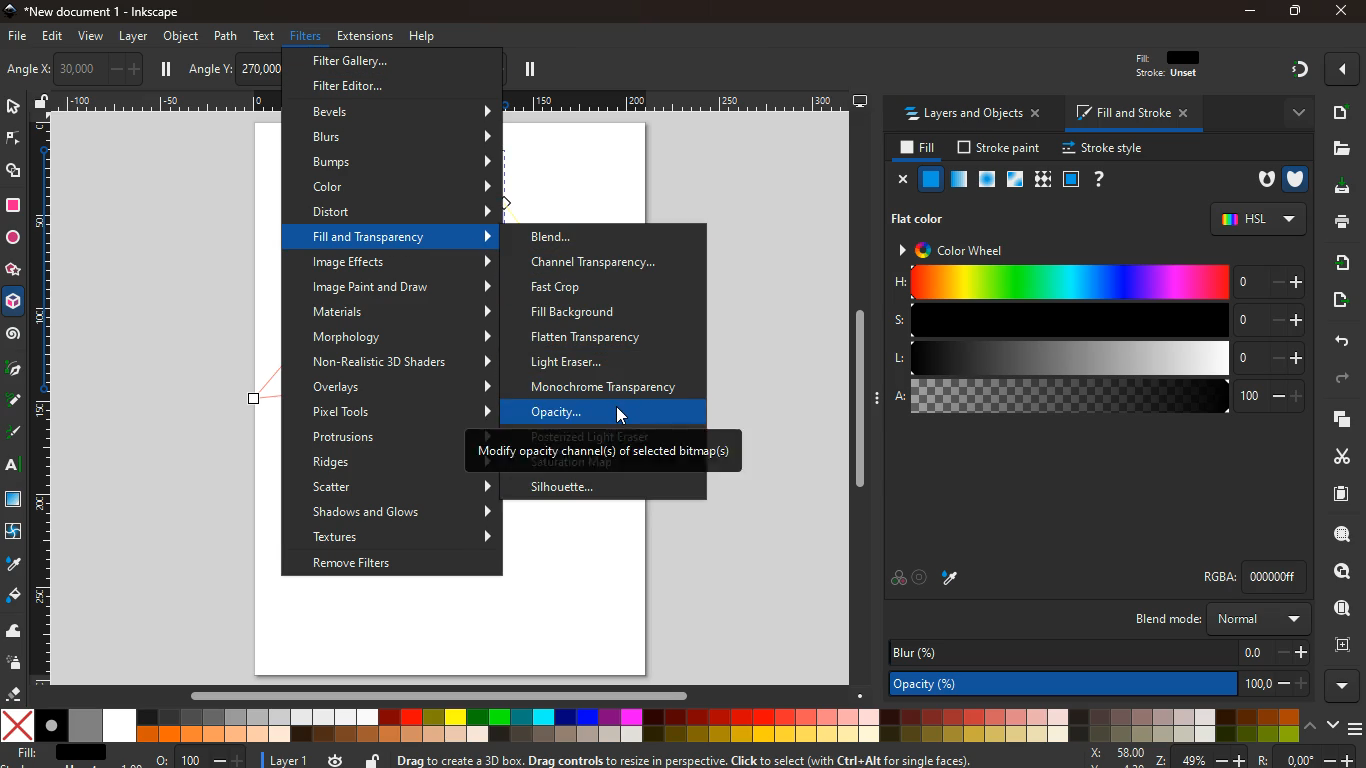 Image resolution: width=1366 pixels, height=768 pixels. Describe the element at coordinates (1335, 300) in the screenshot. I see `send` at that location.